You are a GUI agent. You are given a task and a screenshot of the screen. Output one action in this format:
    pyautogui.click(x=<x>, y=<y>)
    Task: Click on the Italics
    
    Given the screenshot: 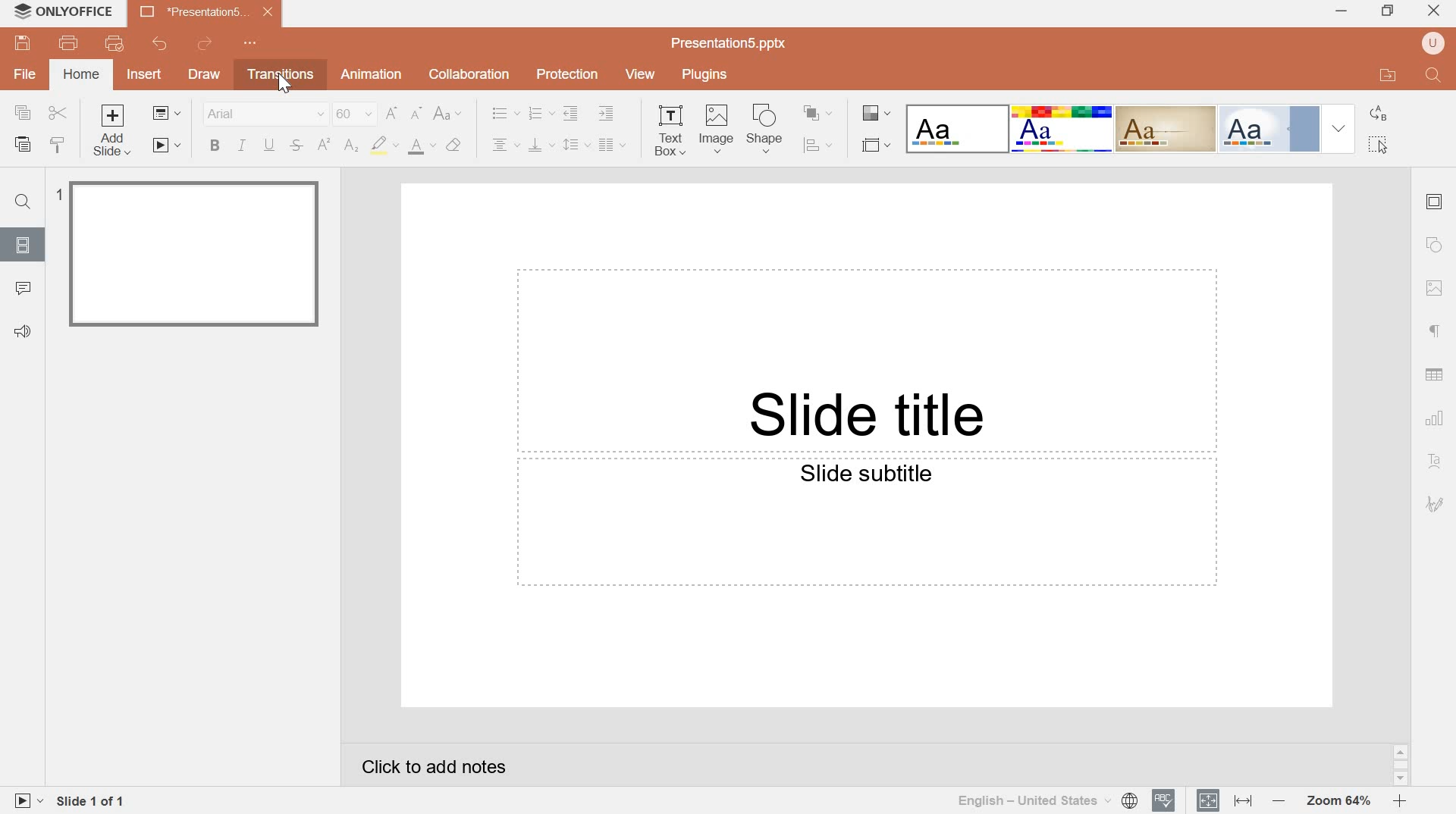 What is the action you would take?
    pyautogui.click(x=240, y=146)
    